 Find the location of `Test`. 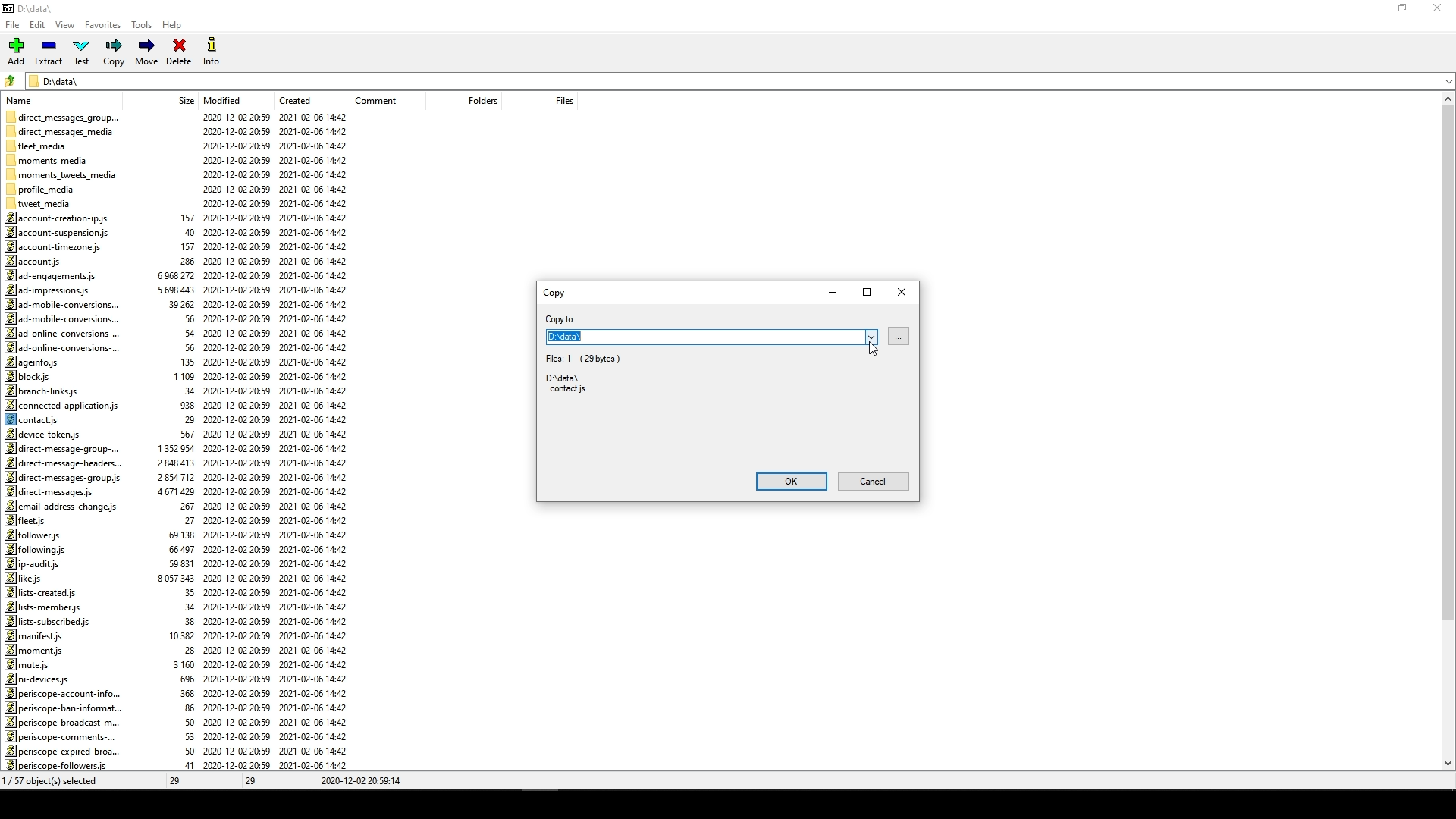

Test is located at coordinates (83, 52).